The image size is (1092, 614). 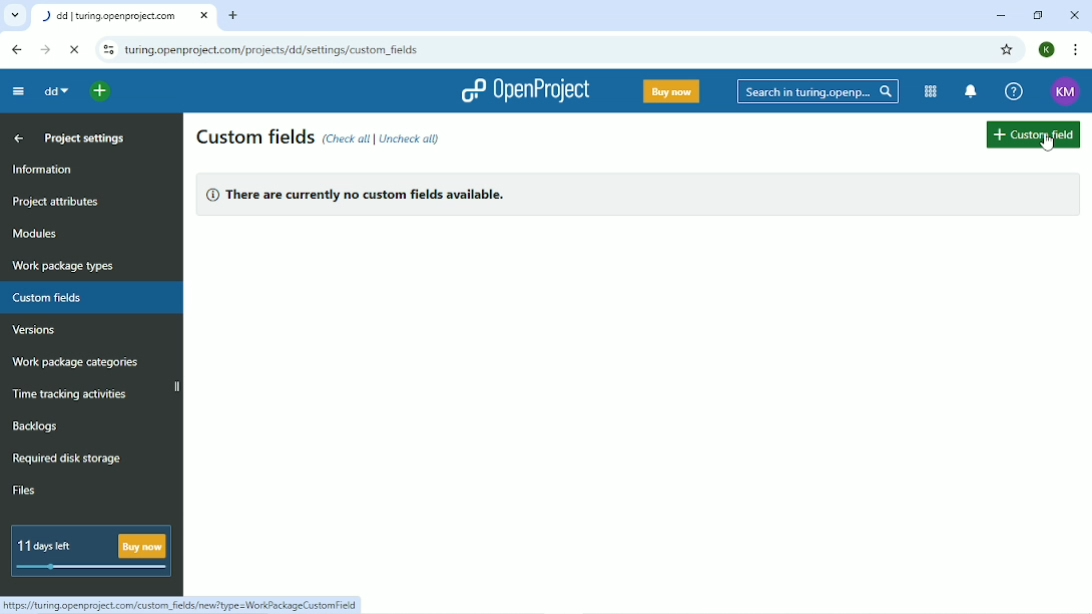 I want to click on To notification center, so click(x=971, y=92).